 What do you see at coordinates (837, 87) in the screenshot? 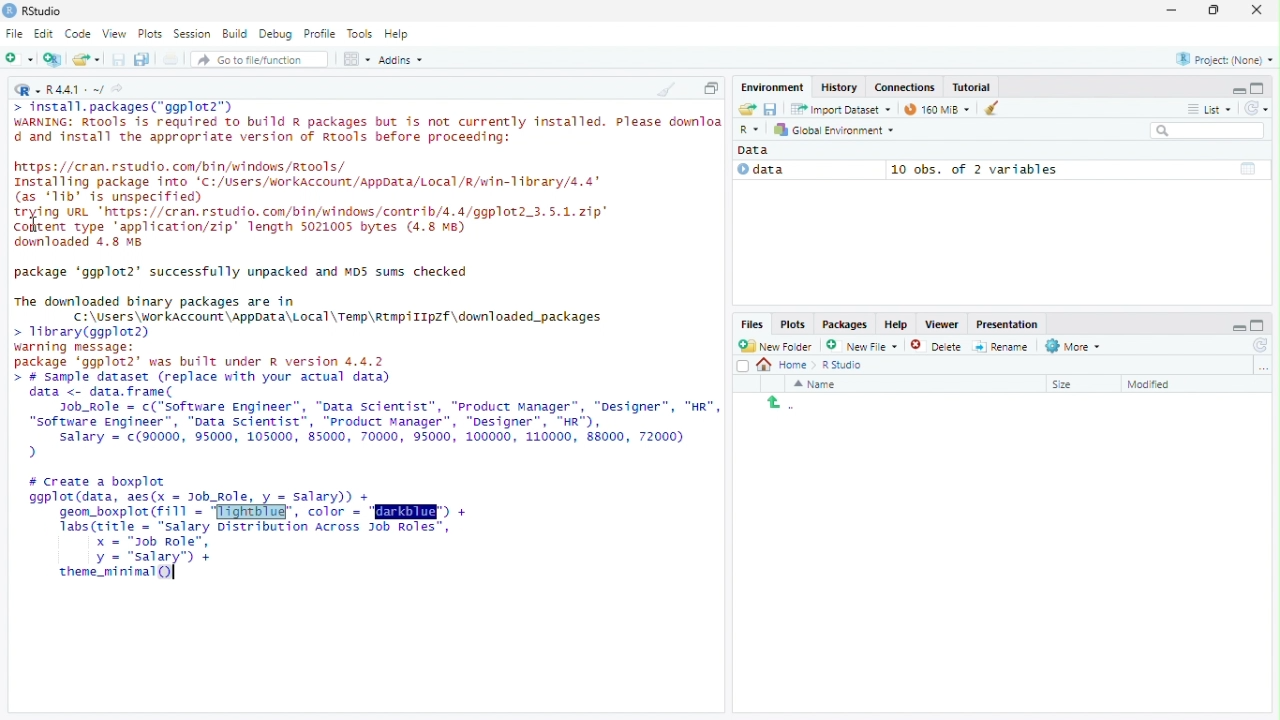
I see `History` at bounding box center [837, 87].